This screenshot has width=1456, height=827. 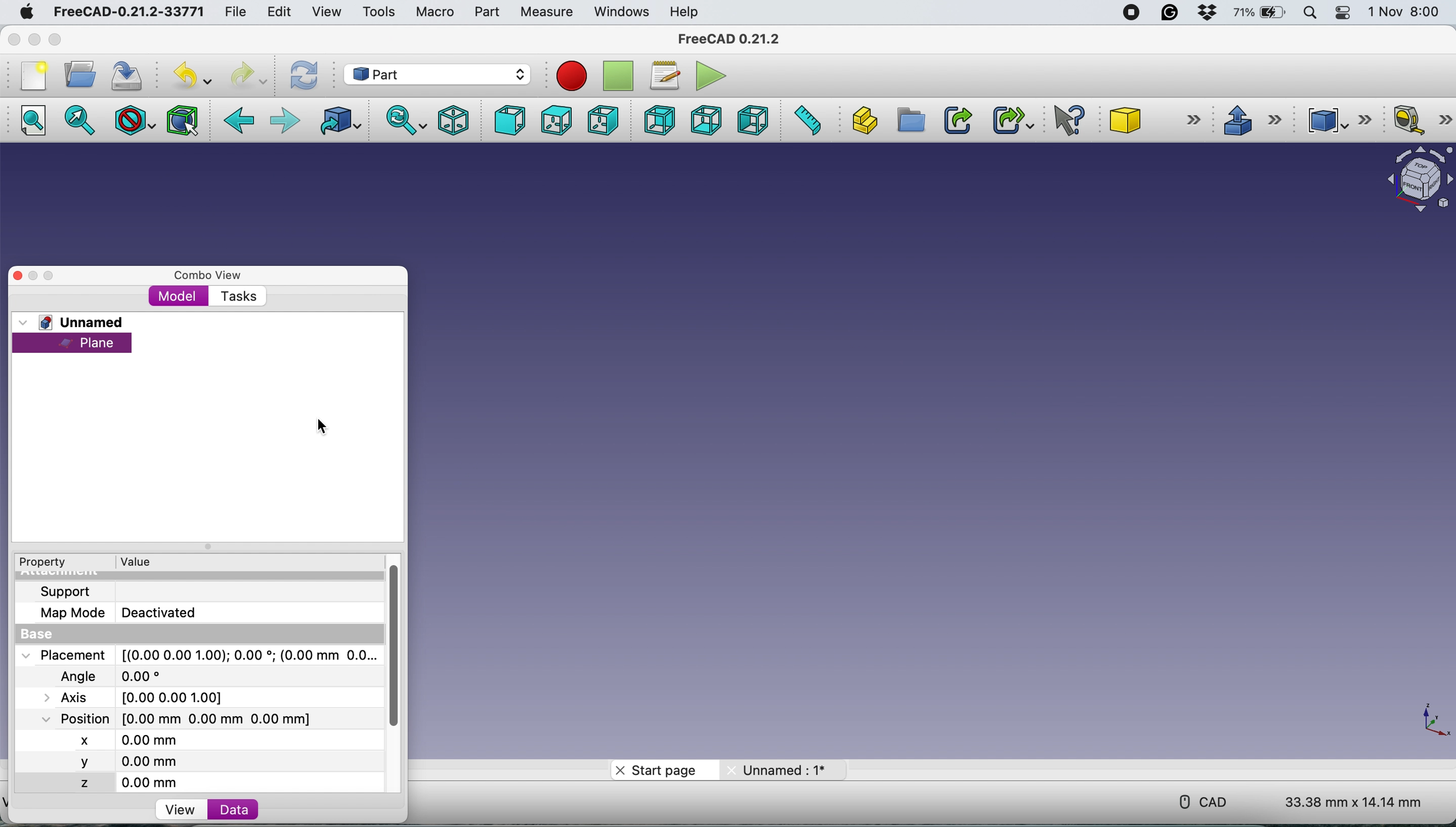 I want to click on make sub link, so click(x=1012, y=116).